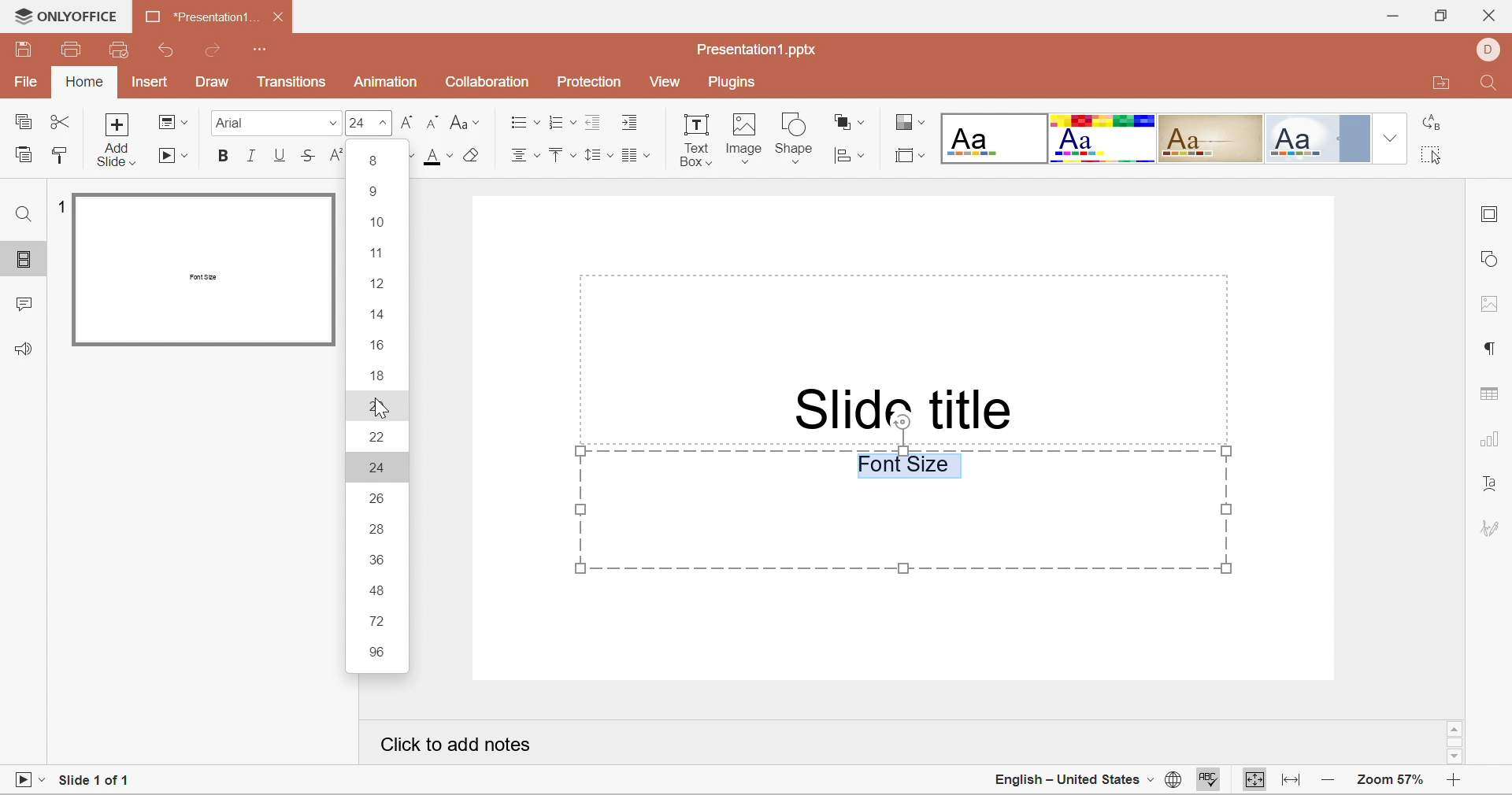  Describe the element at coordinates (214, 83) in the screenshot. I see `Draw` at that location.